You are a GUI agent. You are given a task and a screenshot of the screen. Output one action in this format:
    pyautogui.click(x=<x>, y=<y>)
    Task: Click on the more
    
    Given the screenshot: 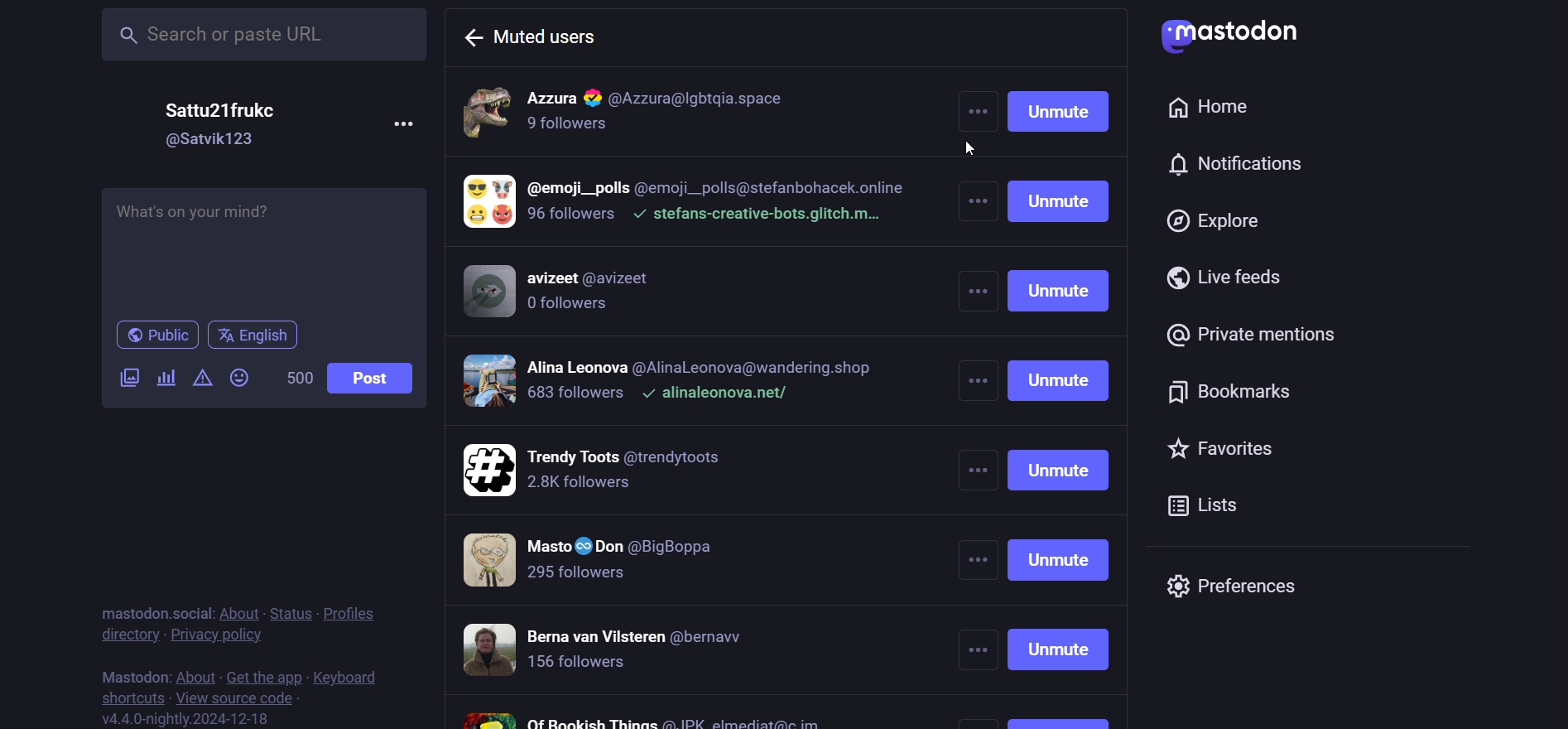 What is the action you would take?
    pyautogui.click(x=978, y=452)
    